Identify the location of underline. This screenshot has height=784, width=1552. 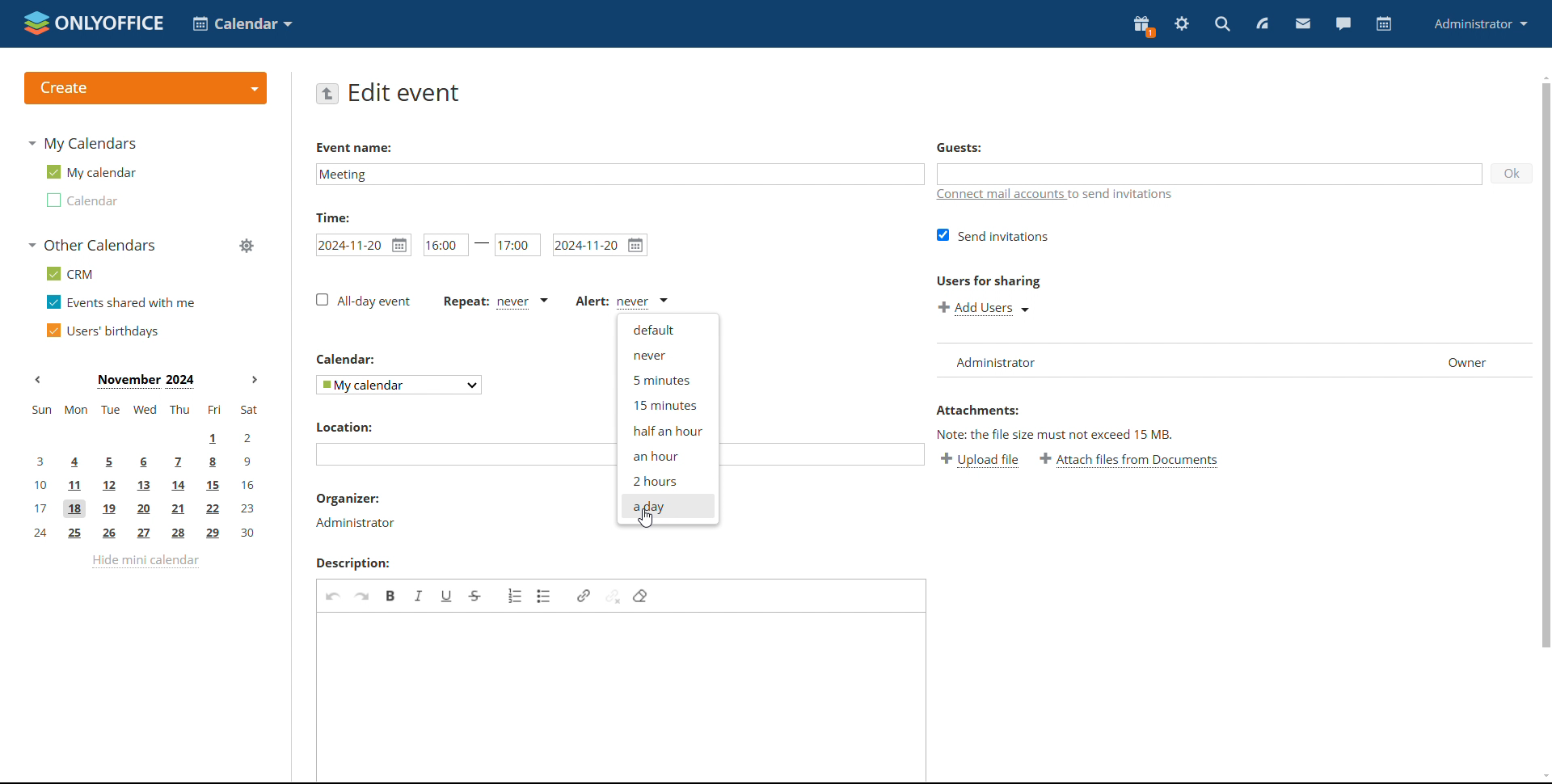
(448, 595).